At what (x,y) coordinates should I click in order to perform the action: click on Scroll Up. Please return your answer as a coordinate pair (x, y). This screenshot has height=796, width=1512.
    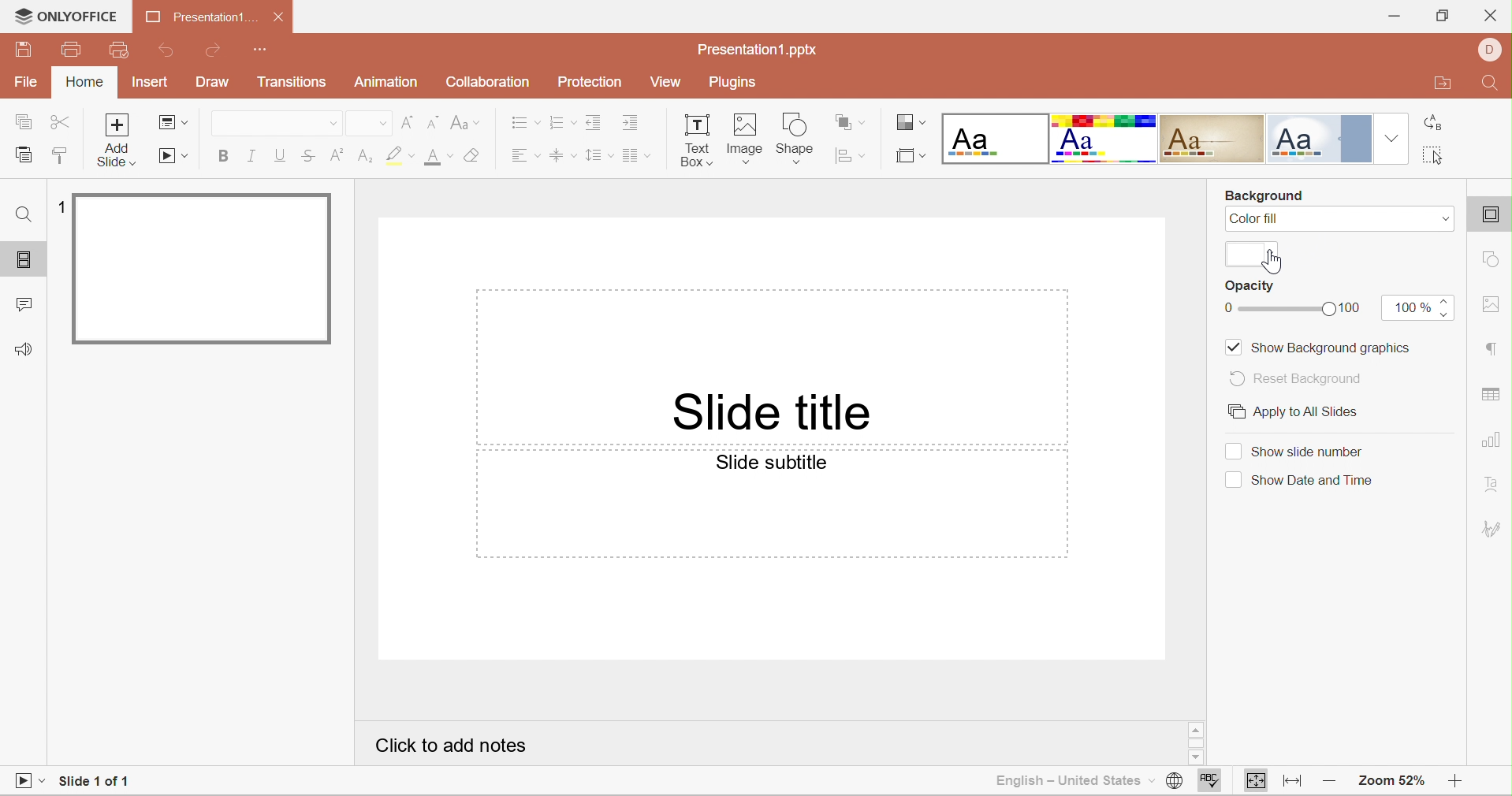
    Looking at the image, I should click on (1458, 728).